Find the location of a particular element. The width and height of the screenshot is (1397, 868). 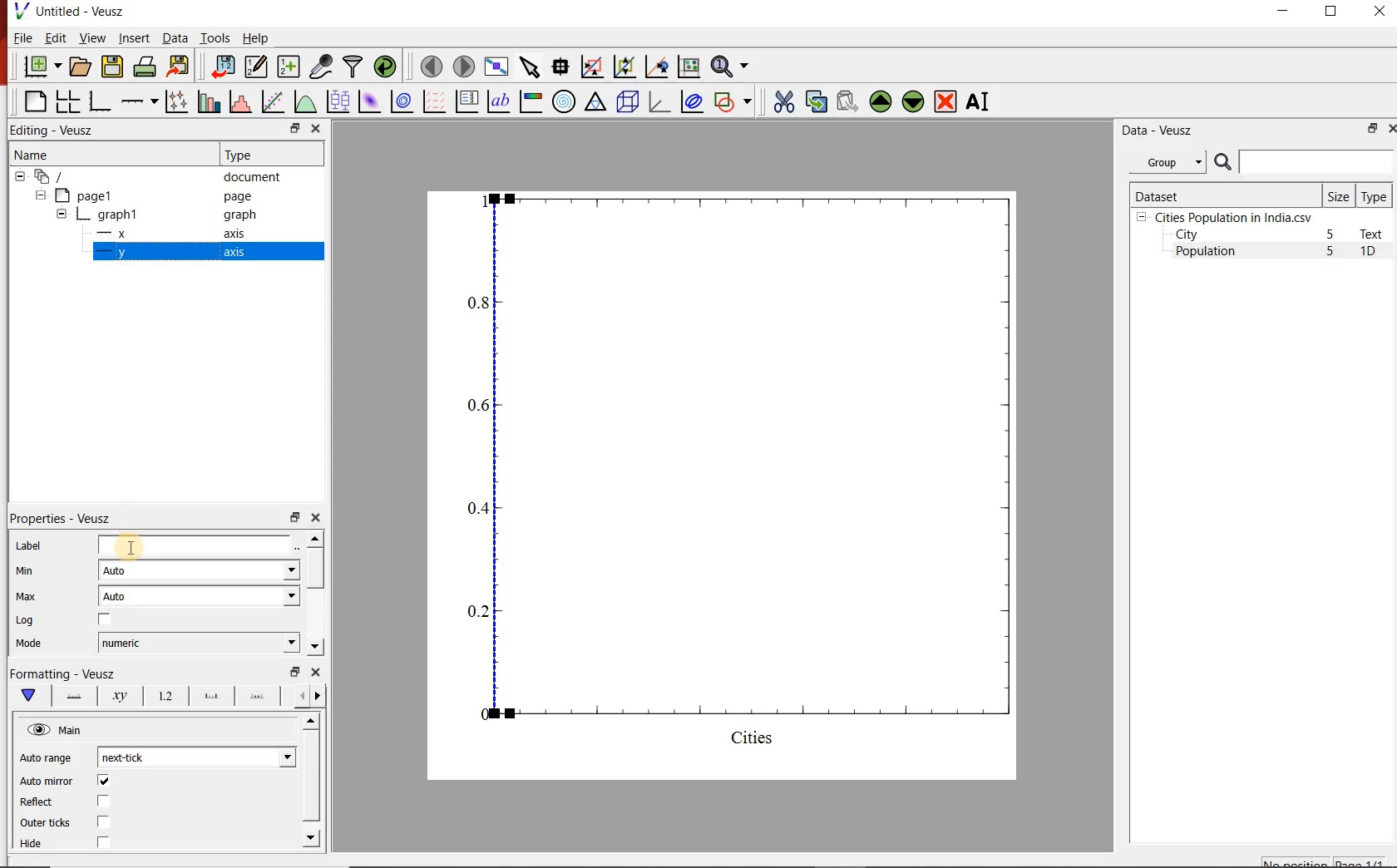

Name is located at coordinates (94, 154).